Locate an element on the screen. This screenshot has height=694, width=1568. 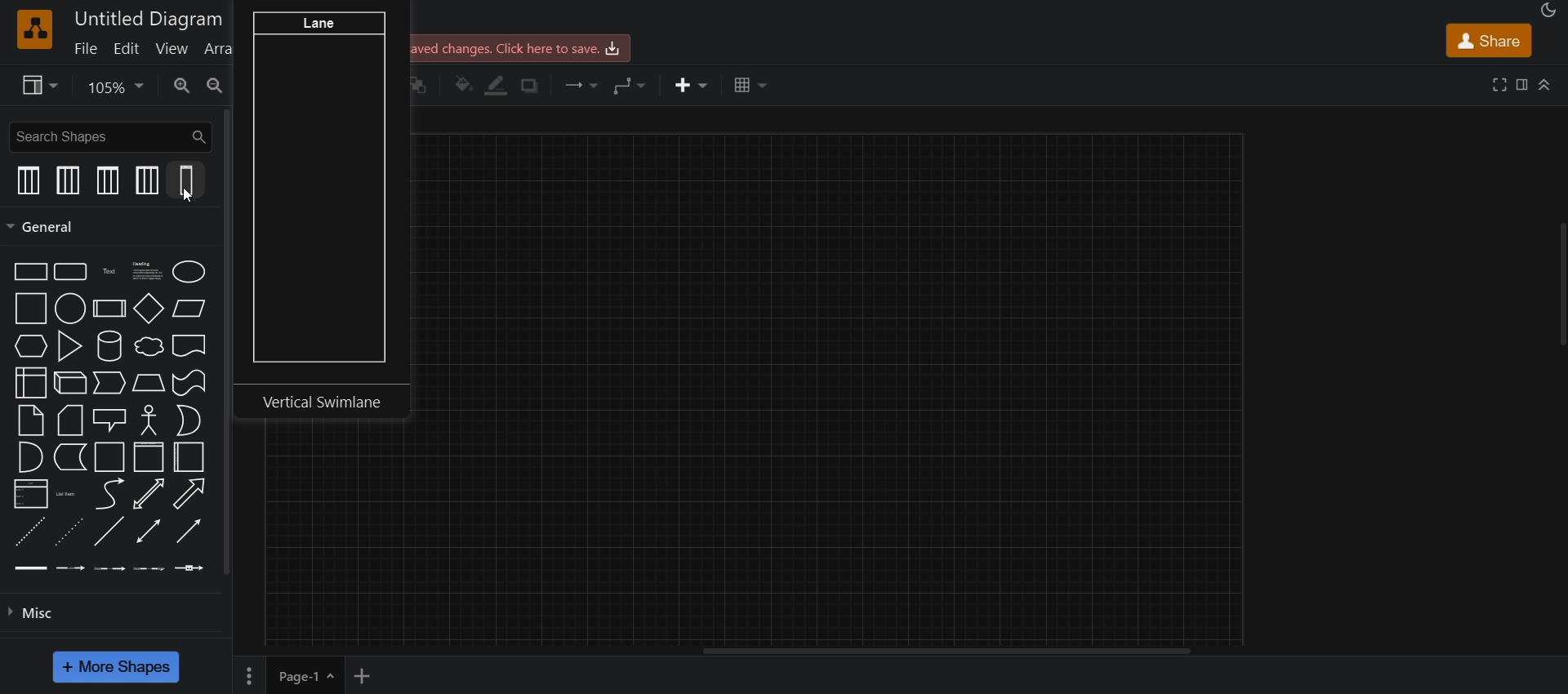
list is located at coordinates (28, 494).